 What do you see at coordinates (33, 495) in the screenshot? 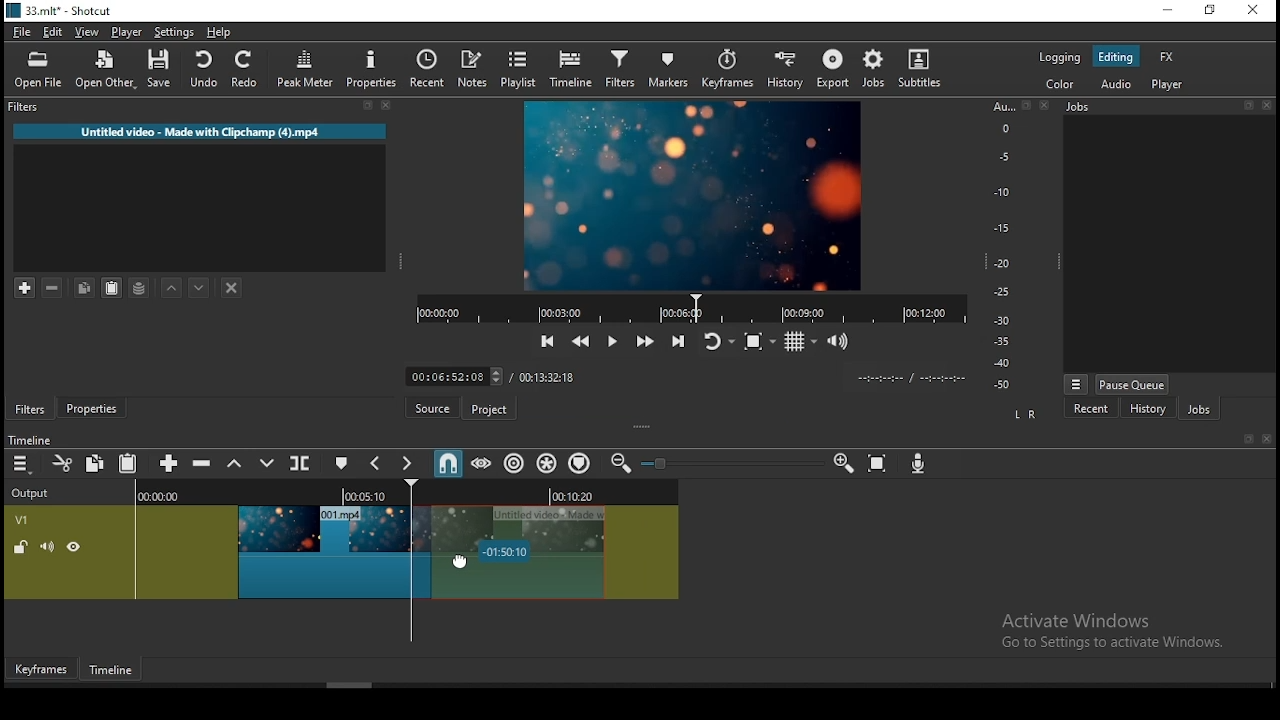
I see `output` at bounding box center [33, 495].